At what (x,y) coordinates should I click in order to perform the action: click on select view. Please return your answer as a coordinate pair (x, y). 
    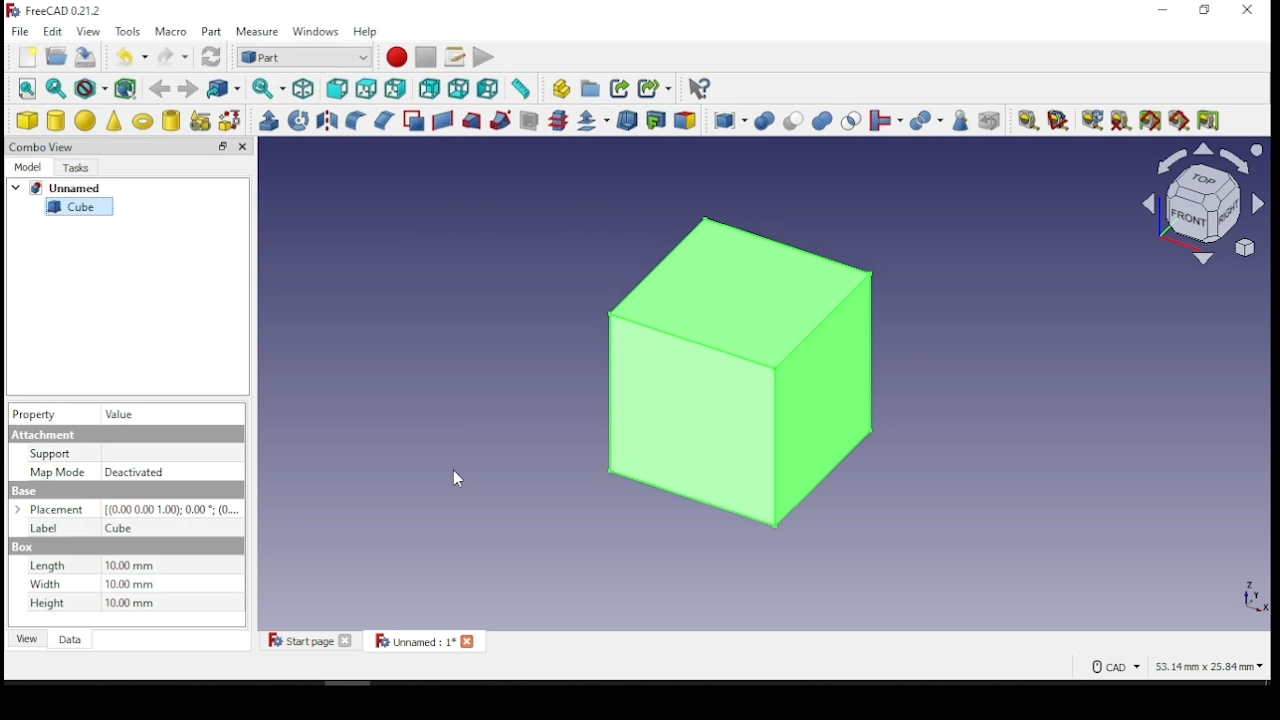
    Looking at the image, I should click on (1202, 206).